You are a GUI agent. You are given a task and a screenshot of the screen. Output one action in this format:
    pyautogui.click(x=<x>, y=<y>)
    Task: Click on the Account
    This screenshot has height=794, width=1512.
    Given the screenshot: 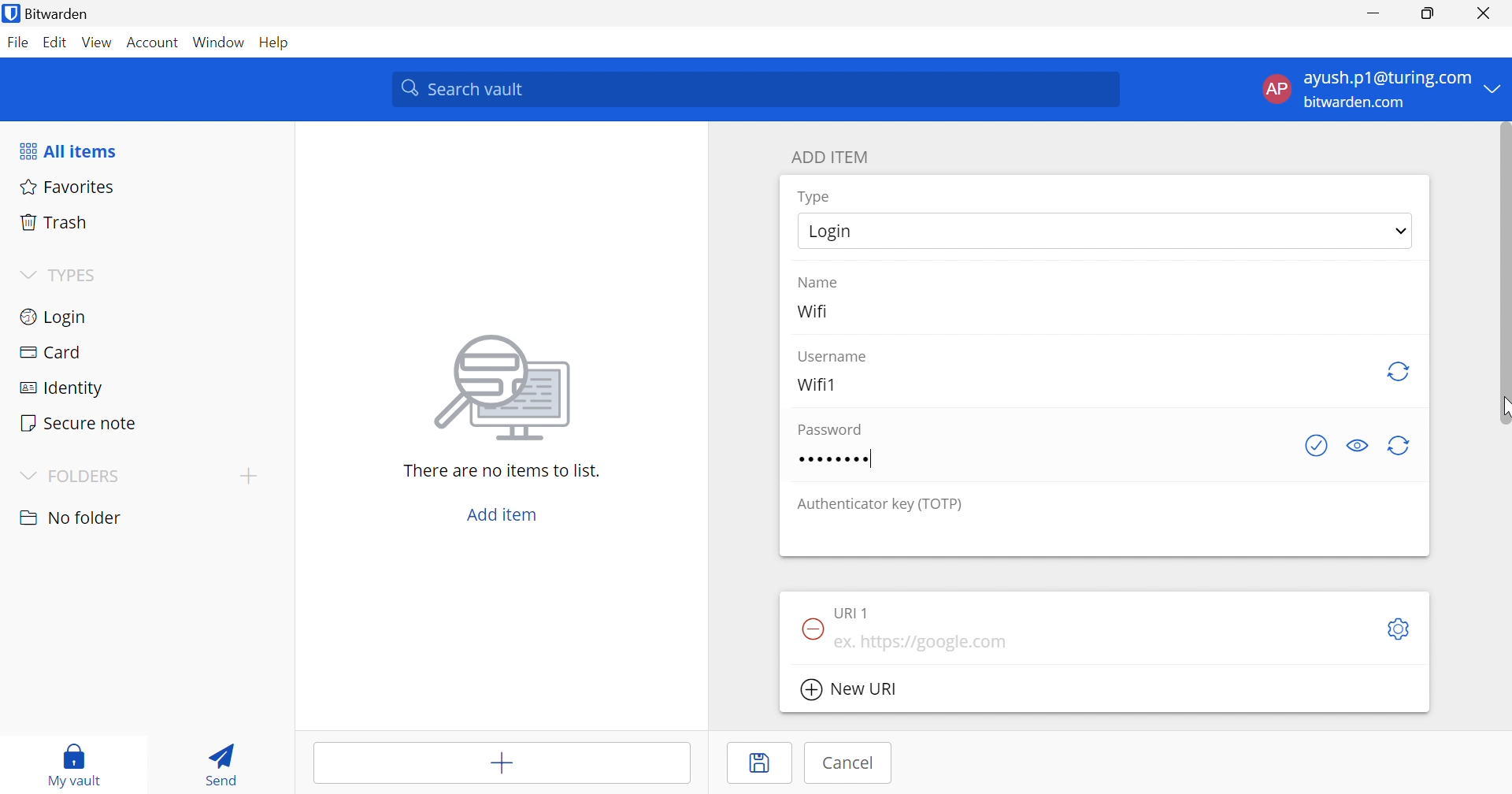 What is the action you would take?
    pyautogui.click(x=154, y=46)
    